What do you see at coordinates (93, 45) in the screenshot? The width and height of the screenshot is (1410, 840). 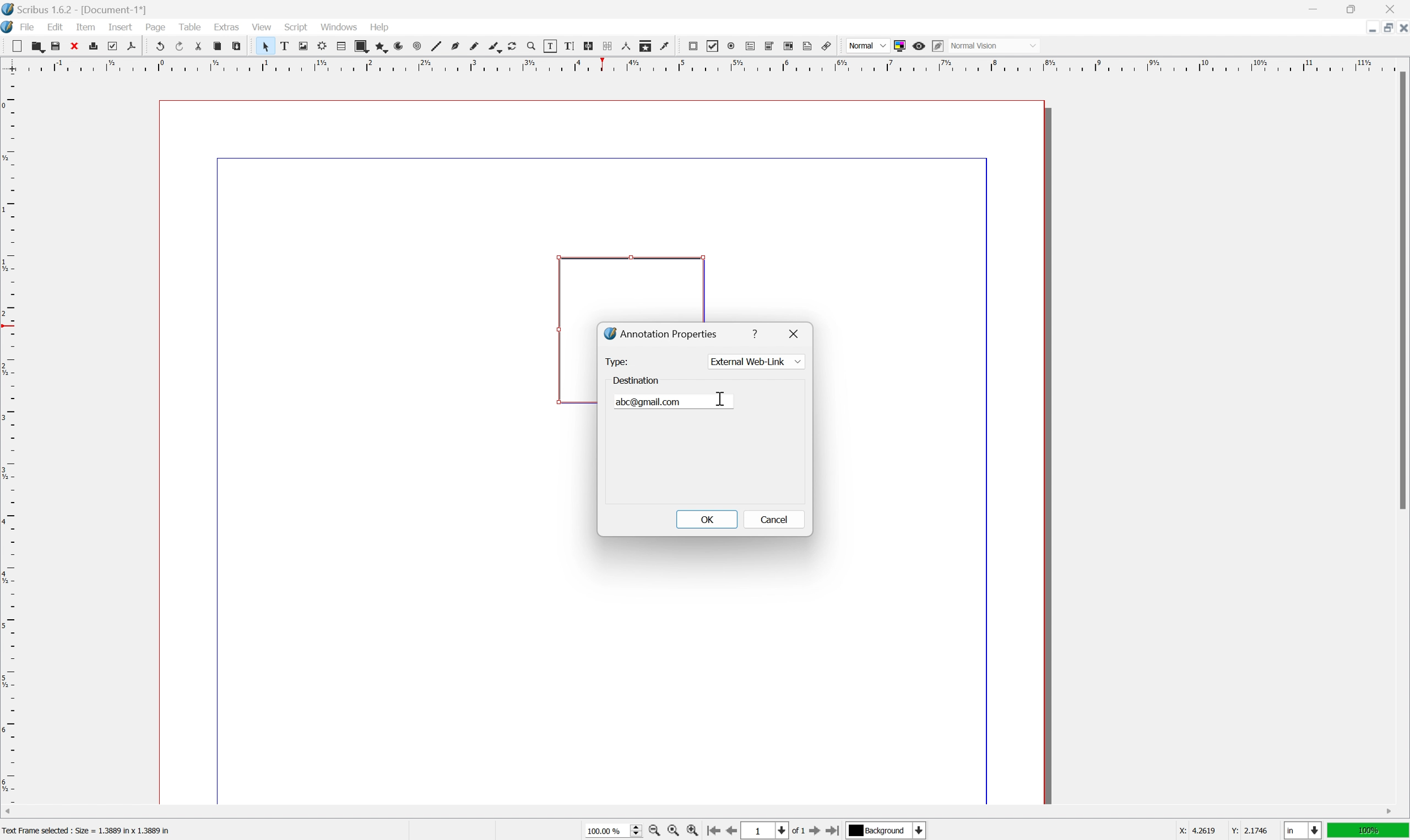 I see `print` at bounding box center [93, 45].